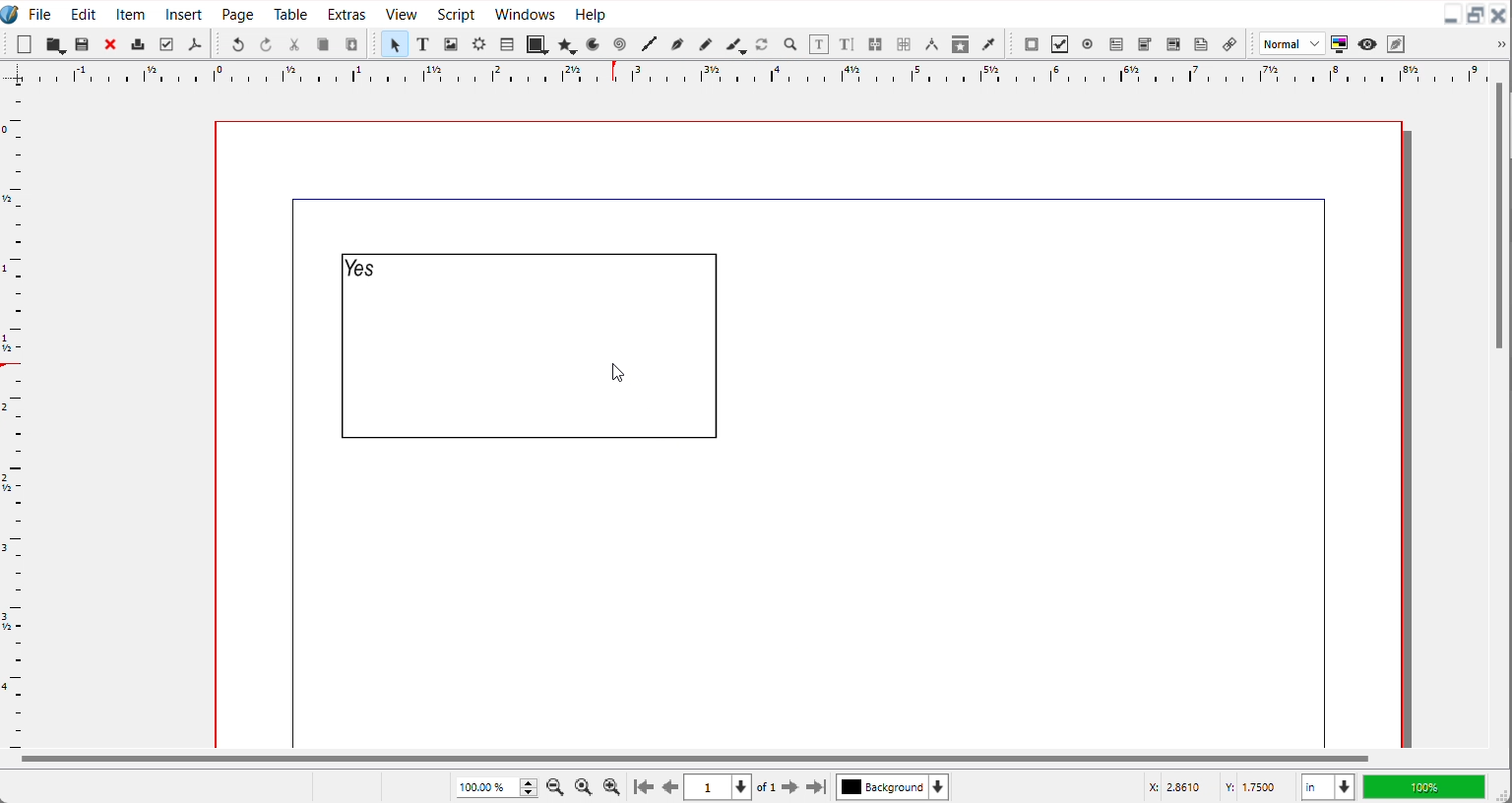 The image size is (1512, 803). What do you see at coordinates (111, 43) in the screenshot?
I see `Close` at bounding box center [111, 43].